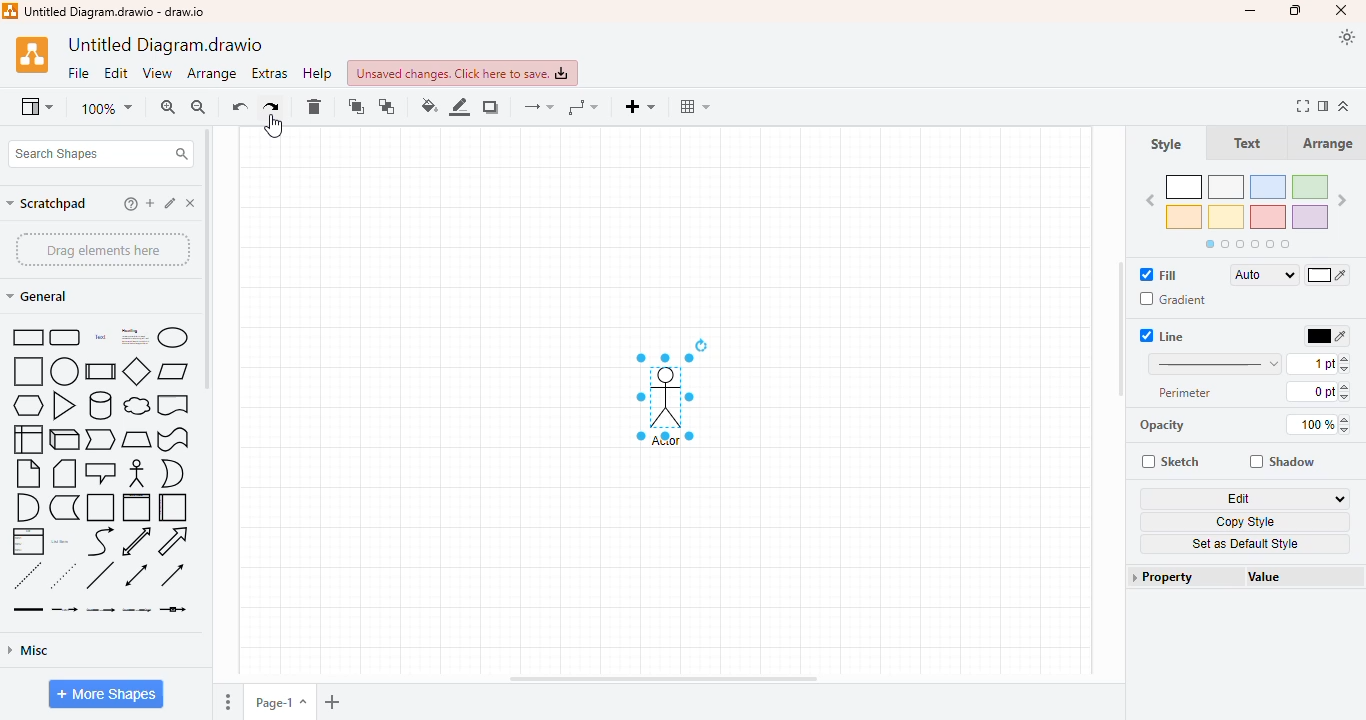  What do you see at coordinates (668, 392) in the screenshot?
I see `shape` at bounding box center [668, 392].